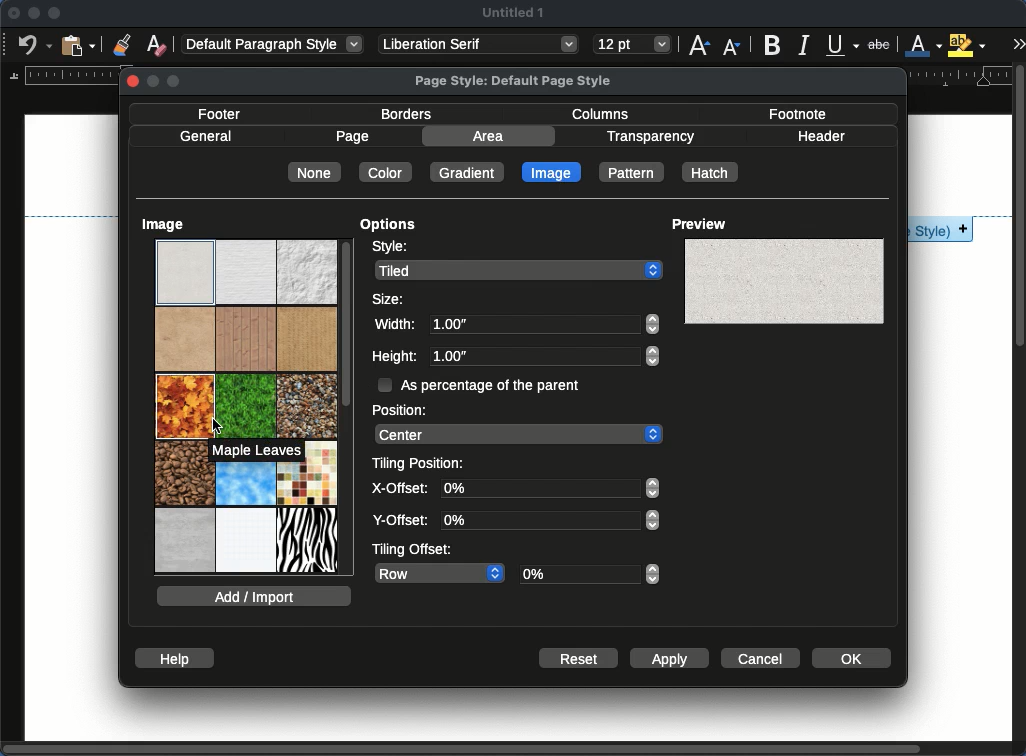  Describe the element at coordinates (632, 171) in the screenshot. I see `pattern` at that location.